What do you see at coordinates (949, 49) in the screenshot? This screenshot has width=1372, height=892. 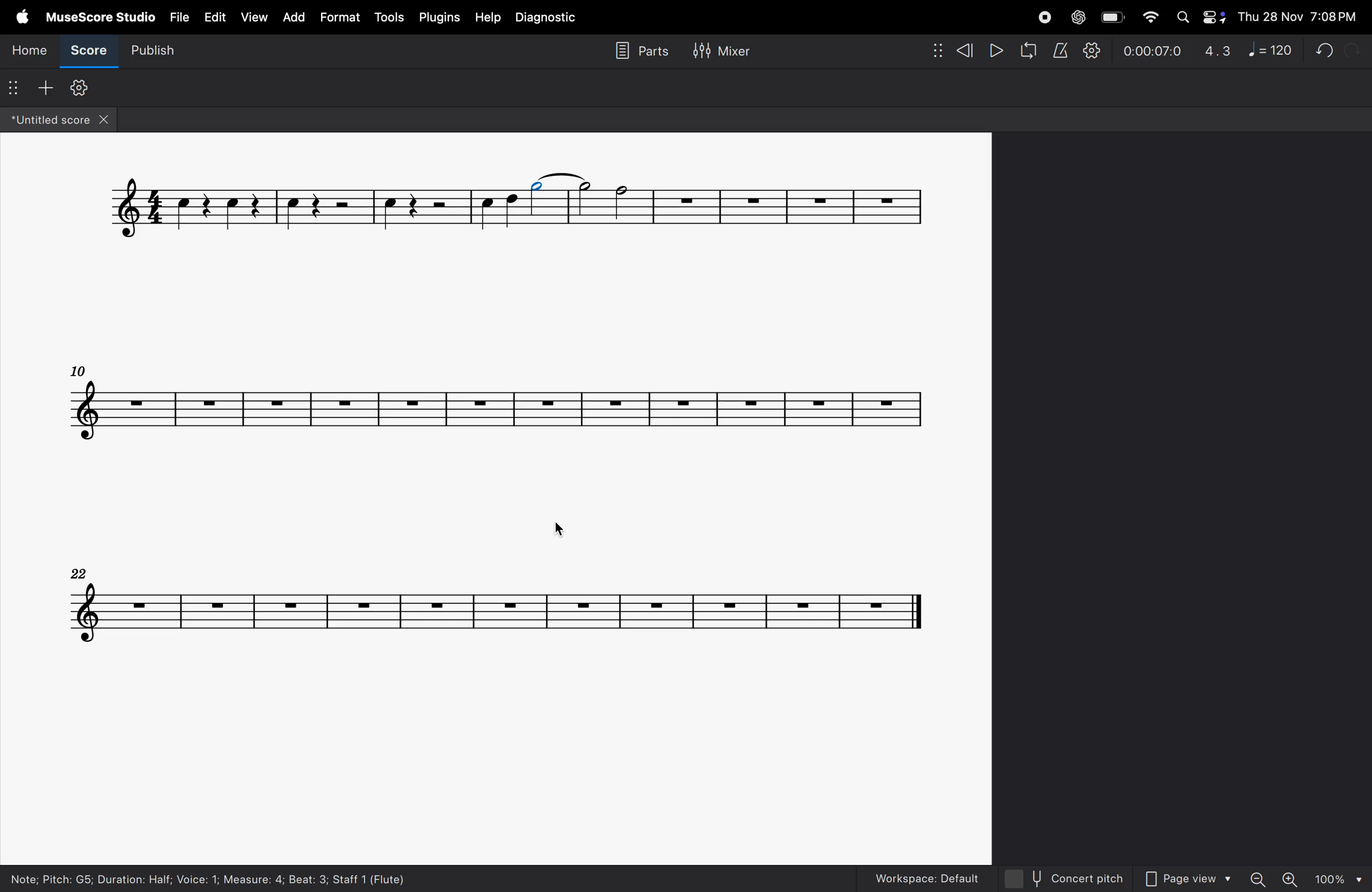 I see `rewind` at bounding box center [949, 49].